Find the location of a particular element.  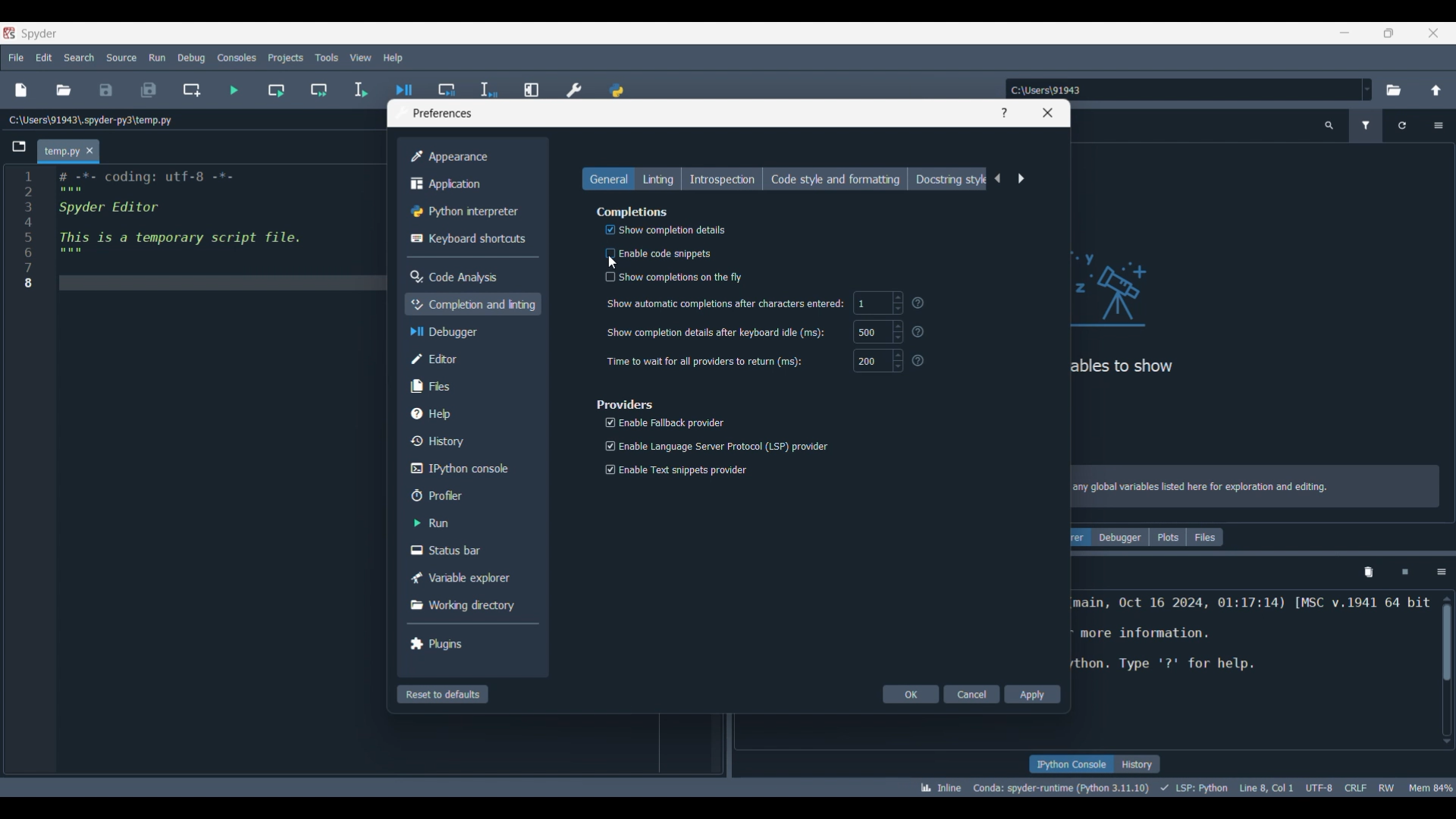

Create new cell at current line is located at coordinates (191, 90).